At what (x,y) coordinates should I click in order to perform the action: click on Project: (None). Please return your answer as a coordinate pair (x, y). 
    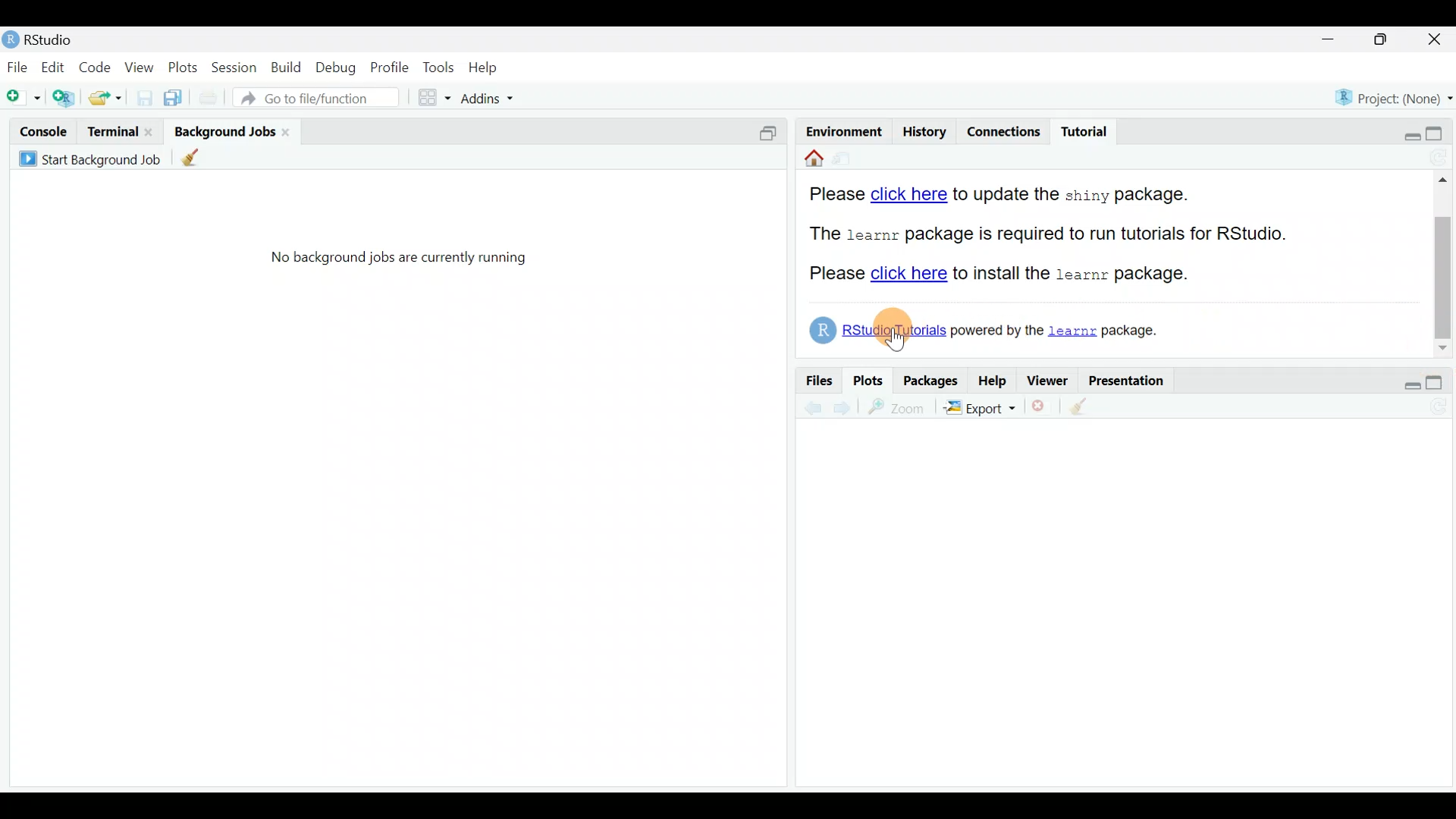
    Looking at the image, I should click on (1392, 98).